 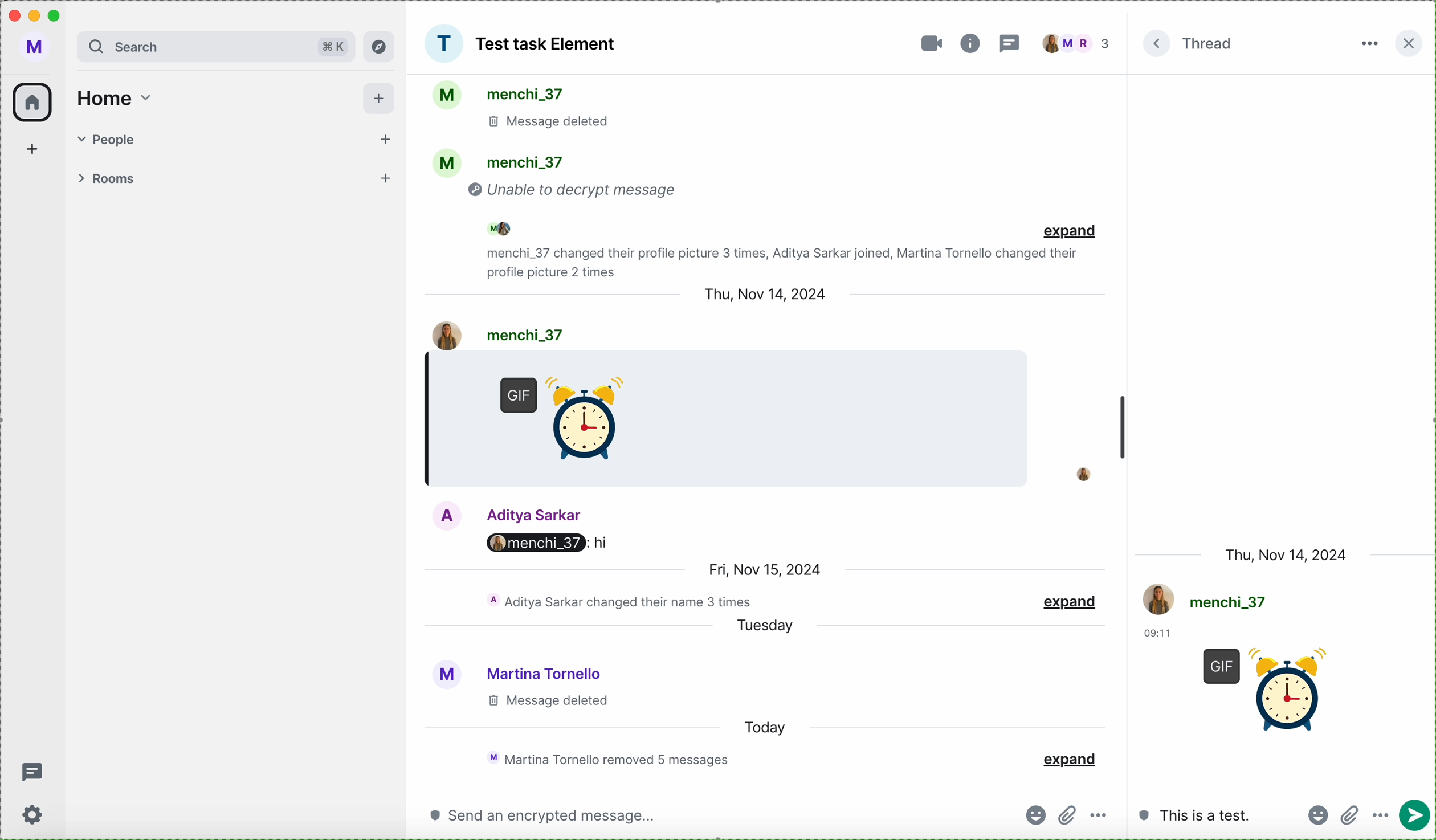 What do you see at coordinates (33, 102) in the screenshot?
I see `home icon` at bounding box center [33, 102].